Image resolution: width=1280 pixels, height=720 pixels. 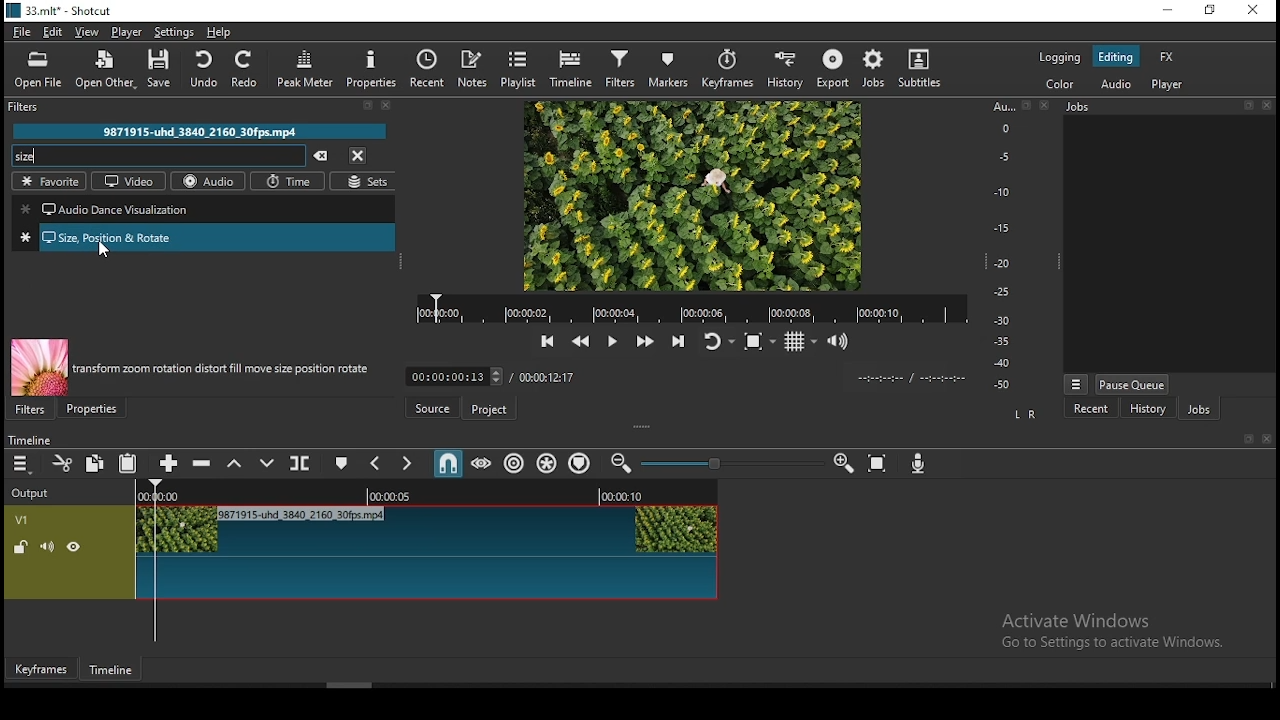 I want to click on settings, so click(x=174, y=30).